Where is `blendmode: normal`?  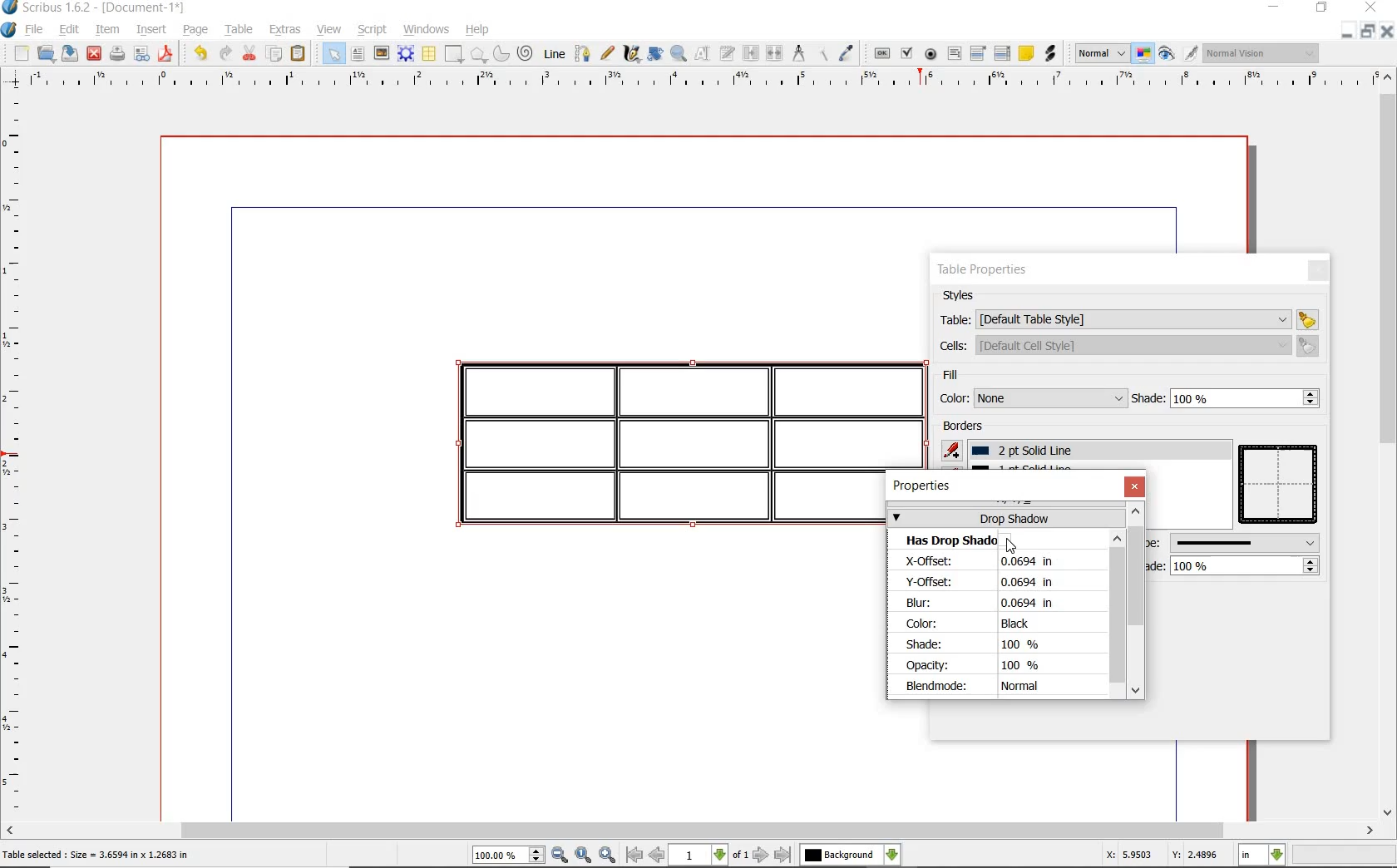 blendmode: normal is located at coordinates (990, 687).